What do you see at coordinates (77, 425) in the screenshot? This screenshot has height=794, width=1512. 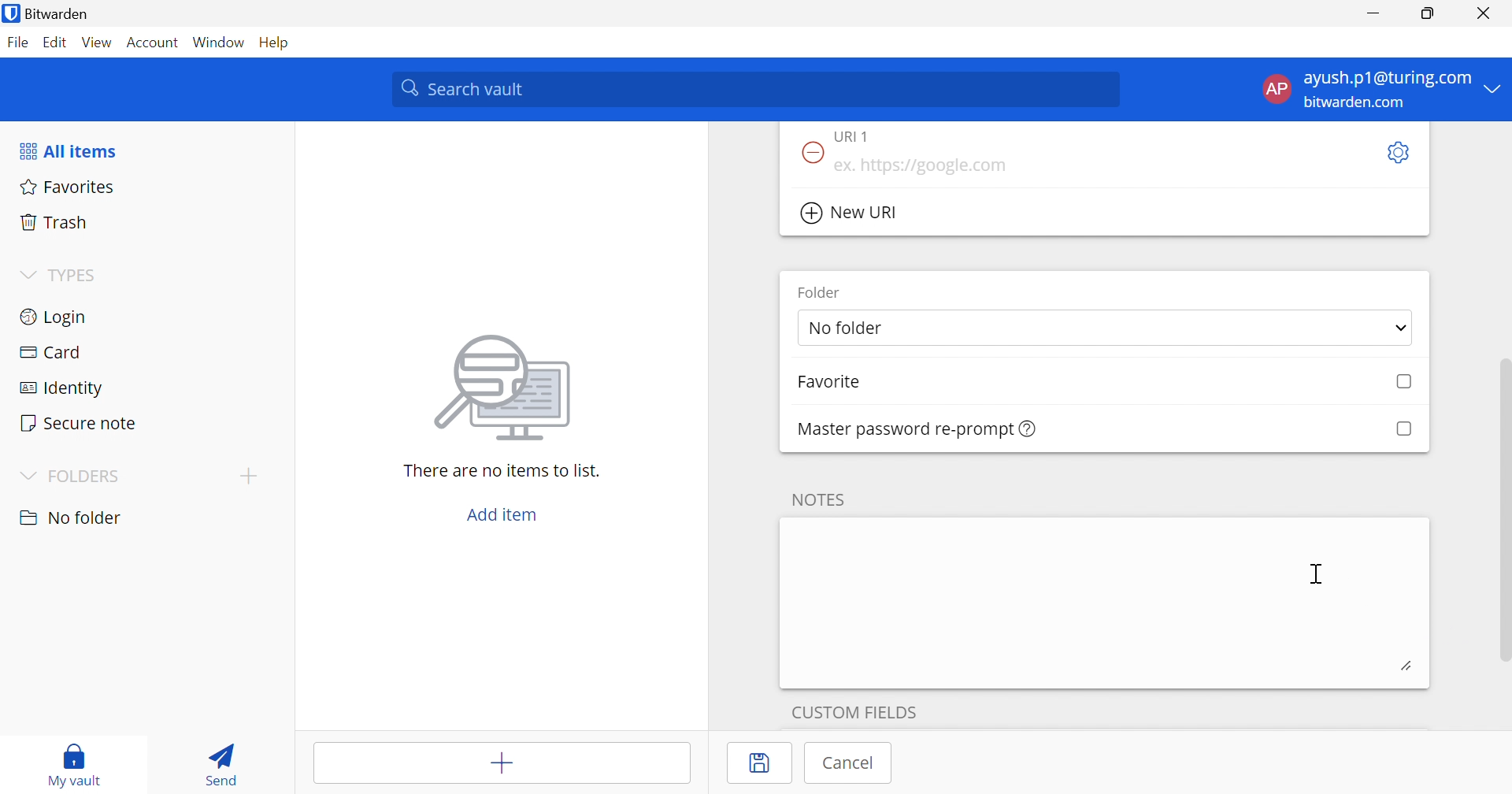 I see `Secure note` at bounding box center [77, 425].